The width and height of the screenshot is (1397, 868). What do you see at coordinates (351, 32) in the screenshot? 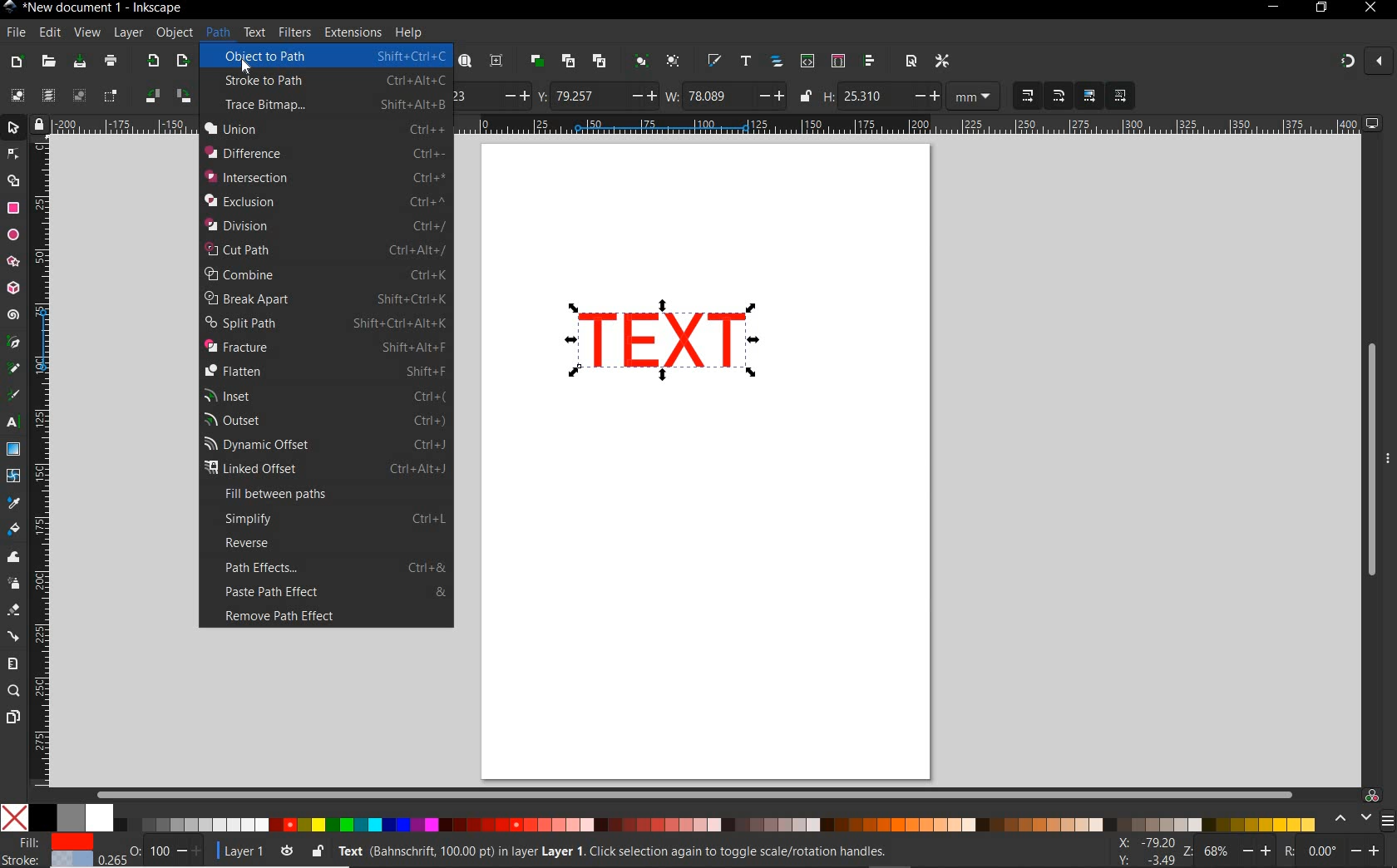
I see `EXTENSIONS` at bounding box center [351, 32].